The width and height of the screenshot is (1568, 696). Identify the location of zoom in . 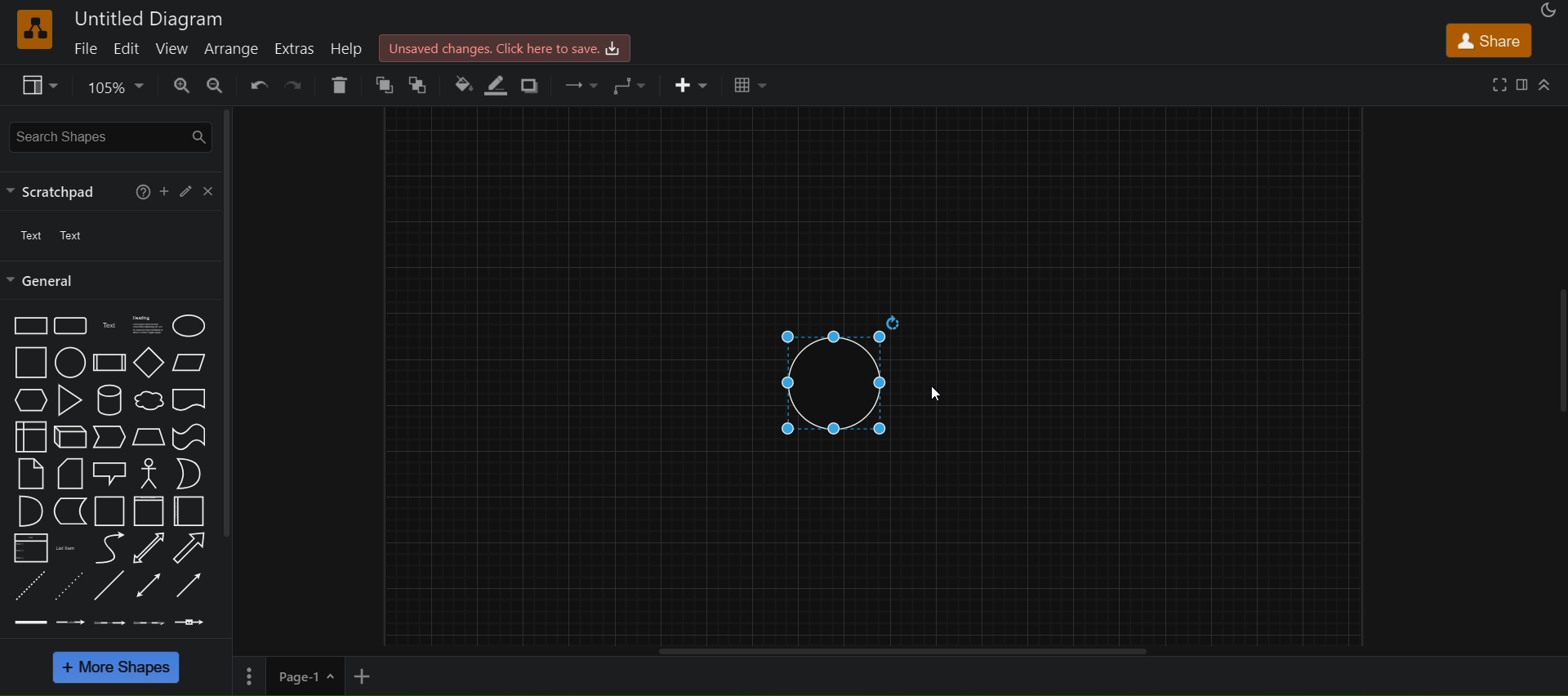
(183, 84).